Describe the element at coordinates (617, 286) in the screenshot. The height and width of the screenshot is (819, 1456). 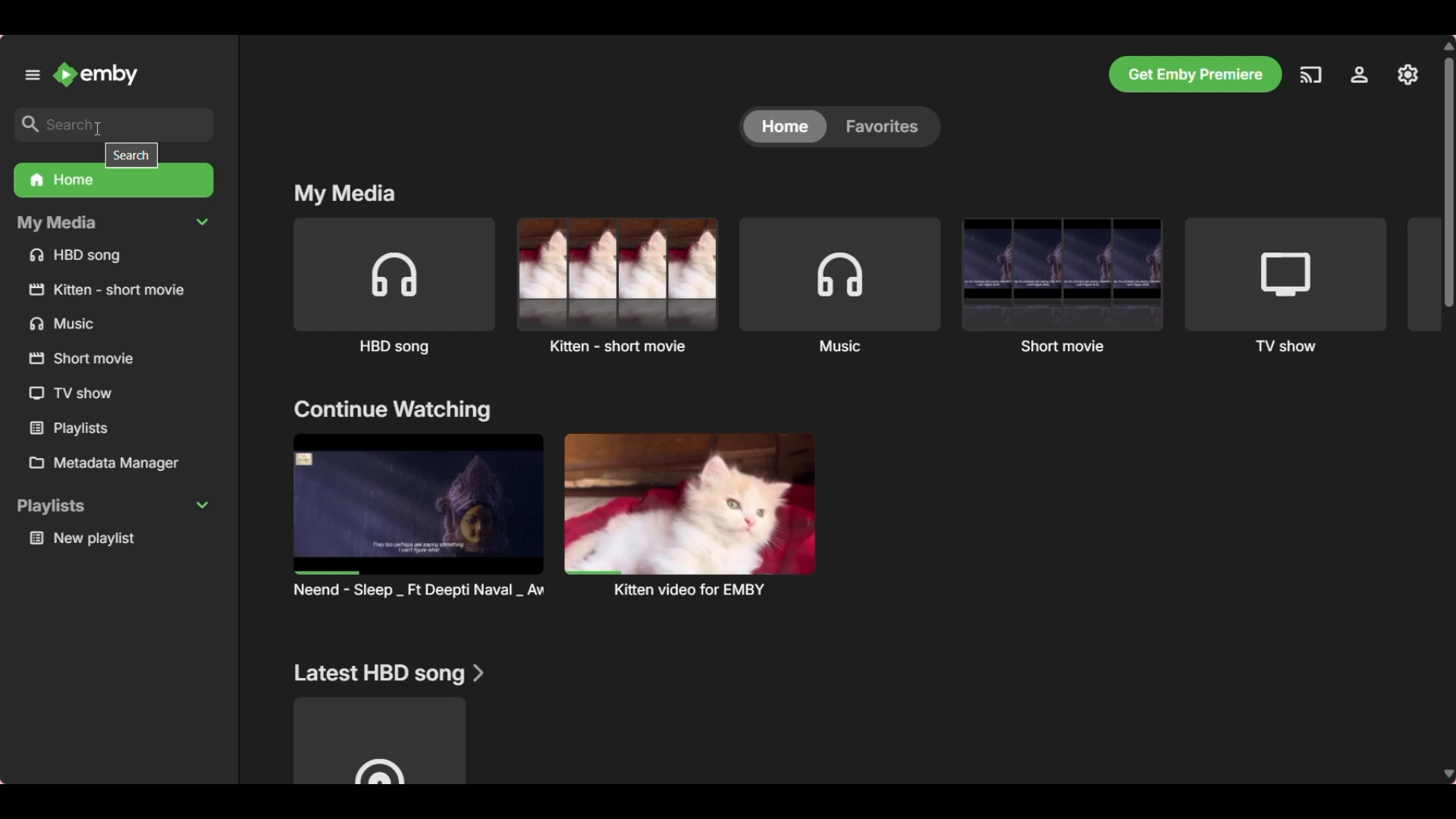
I see `Kitten - short movie` at that location.